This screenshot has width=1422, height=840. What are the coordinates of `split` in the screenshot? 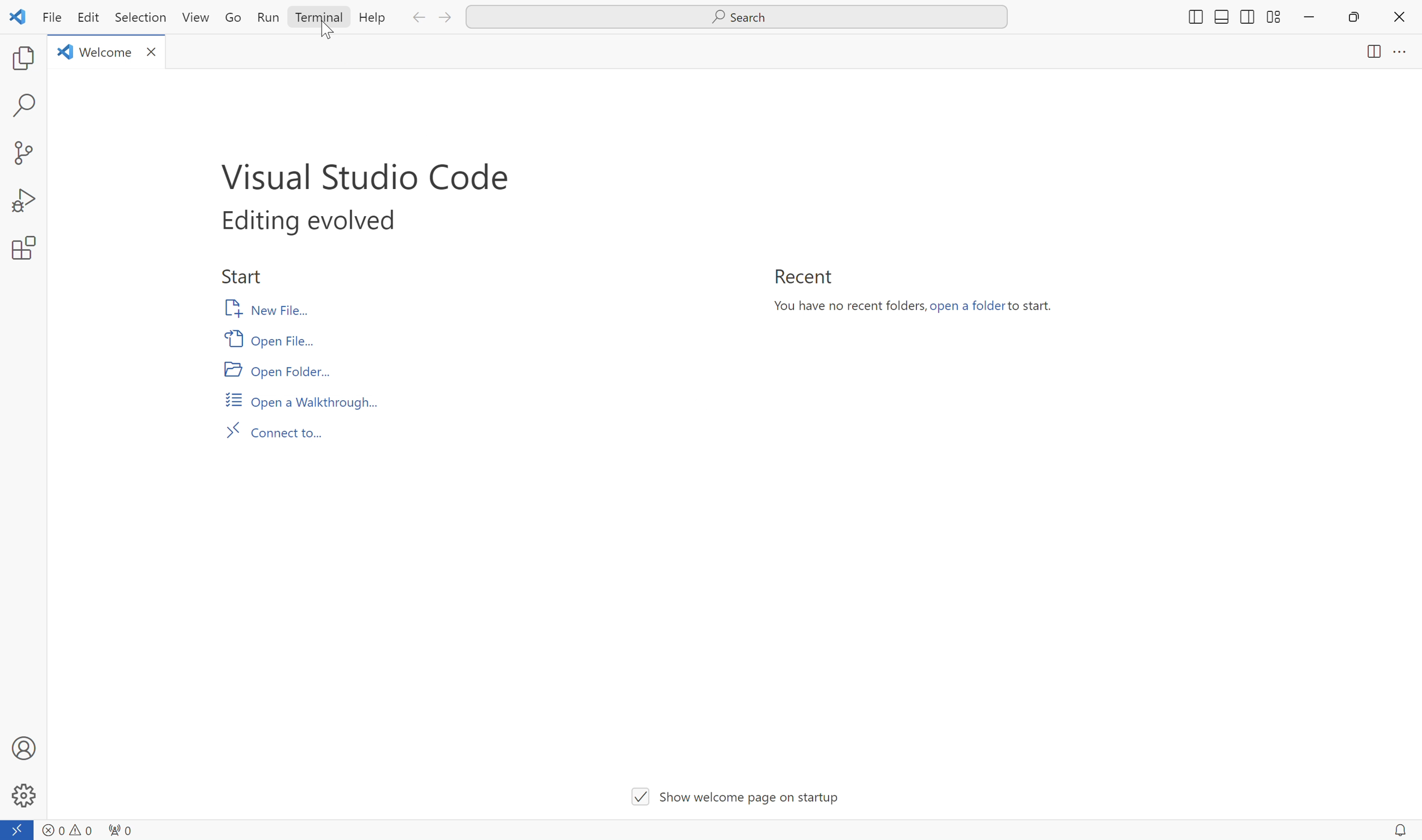 It's located at (1272, 15).